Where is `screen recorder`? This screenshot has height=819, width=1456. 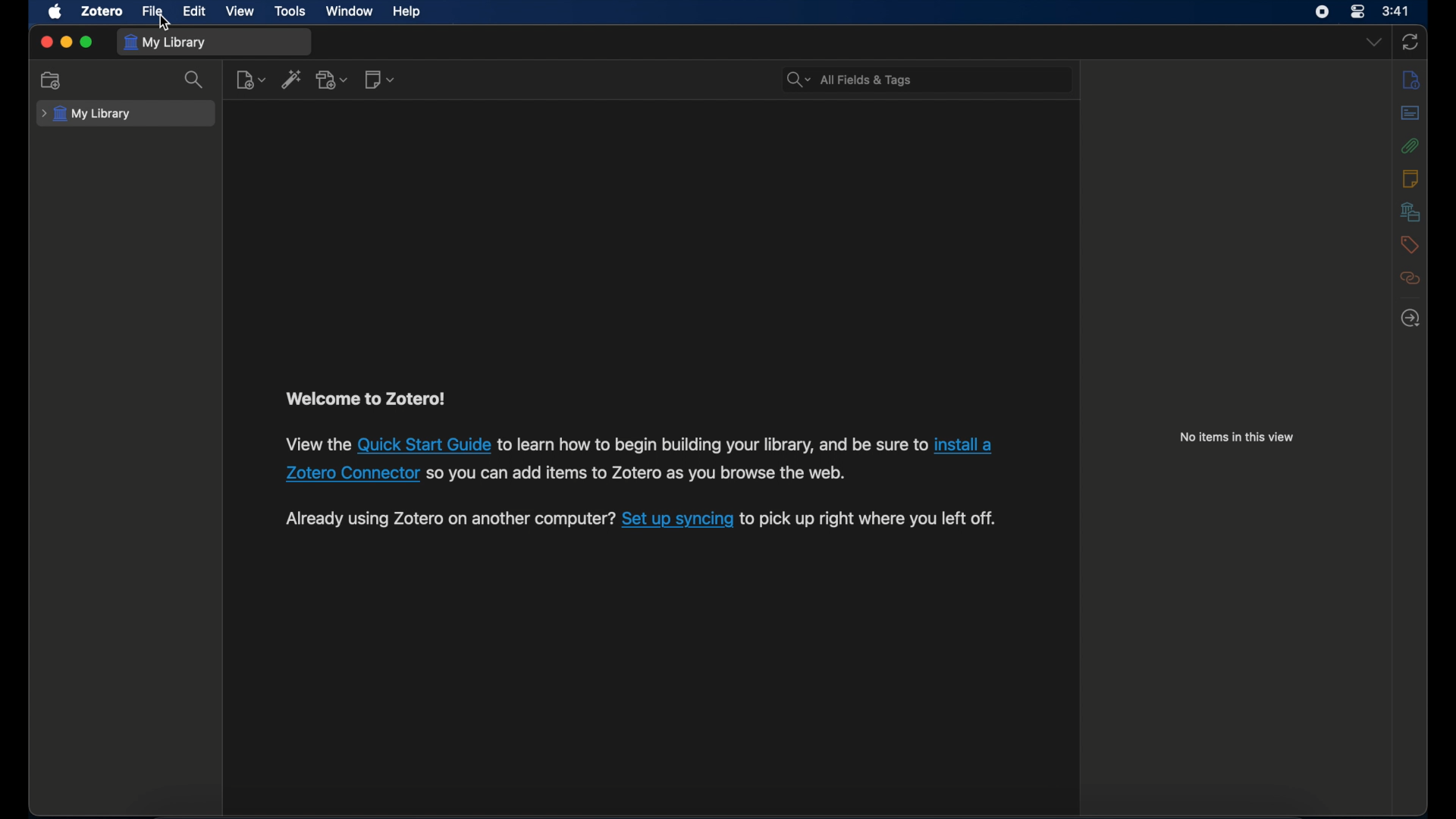
screen recorder is located at coordinates (1323, 12).